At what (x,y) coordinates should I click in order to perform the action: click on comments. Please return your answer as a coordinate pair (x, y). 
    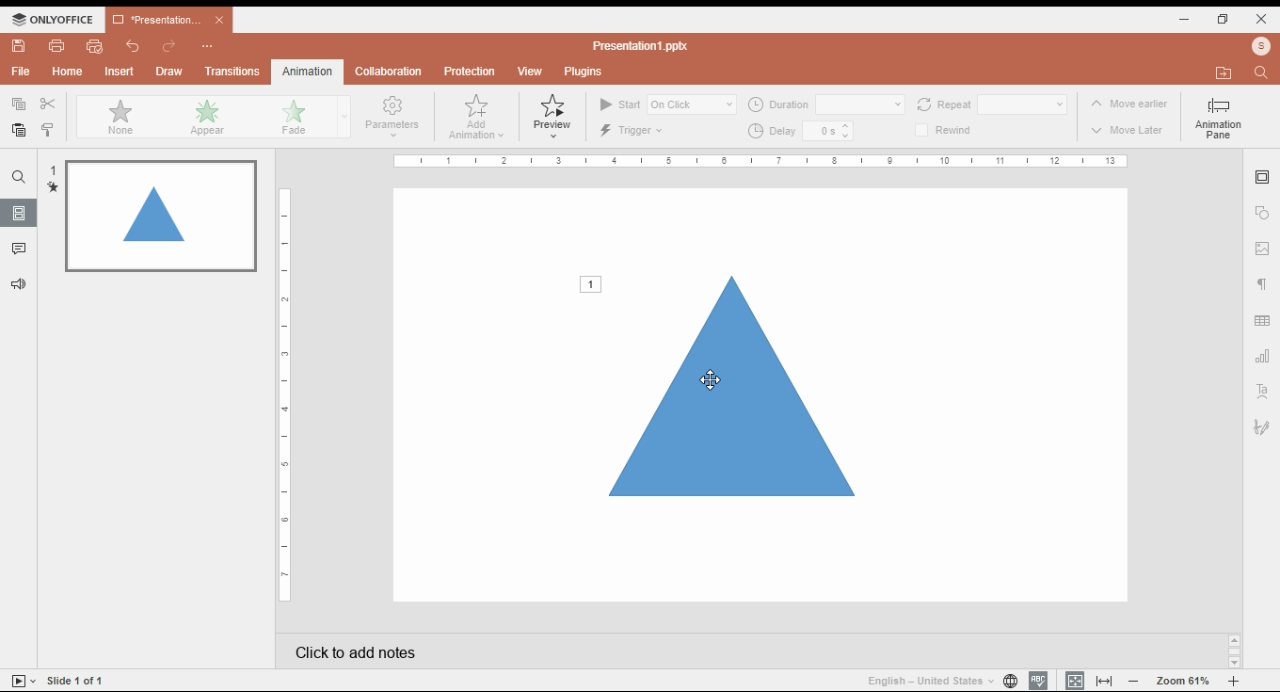
    Looking at the image, I should click on (23, 248).